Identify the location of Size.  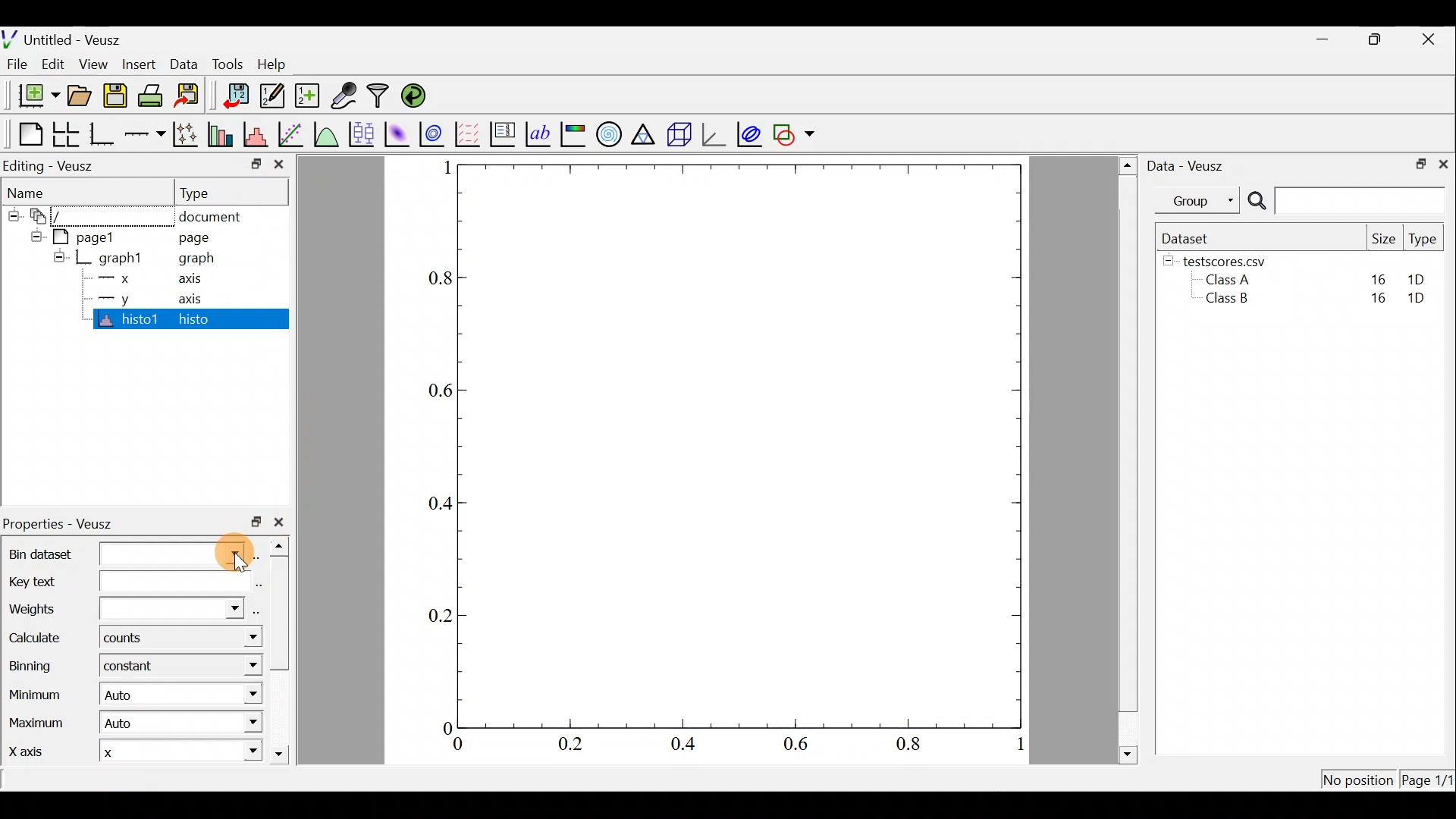
(1384, 238).